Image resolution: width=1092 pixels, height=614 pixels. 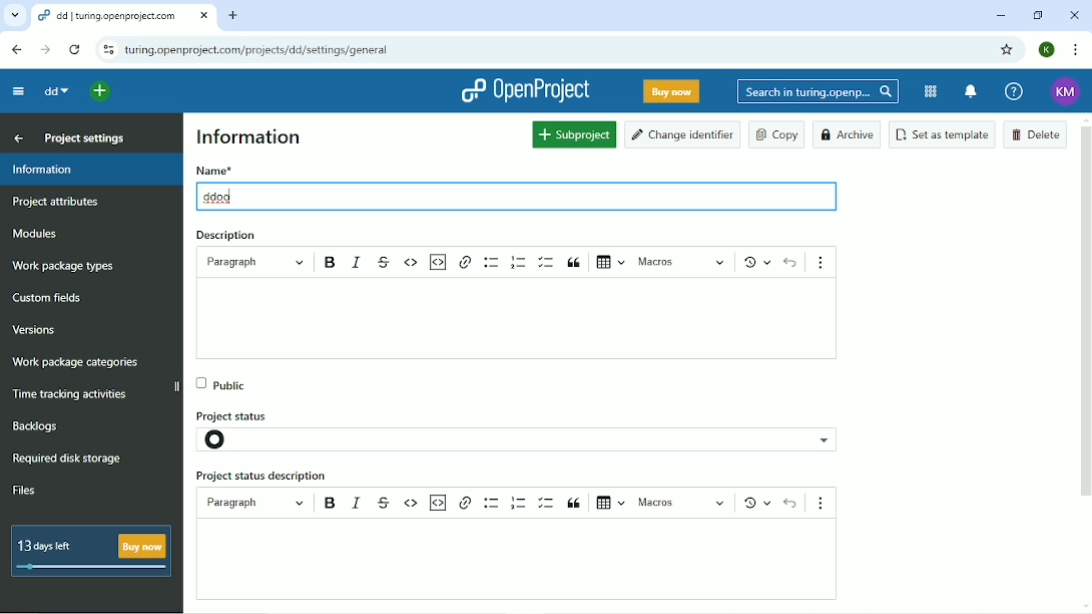 I want to click on text box, so click(x=531, y=320).